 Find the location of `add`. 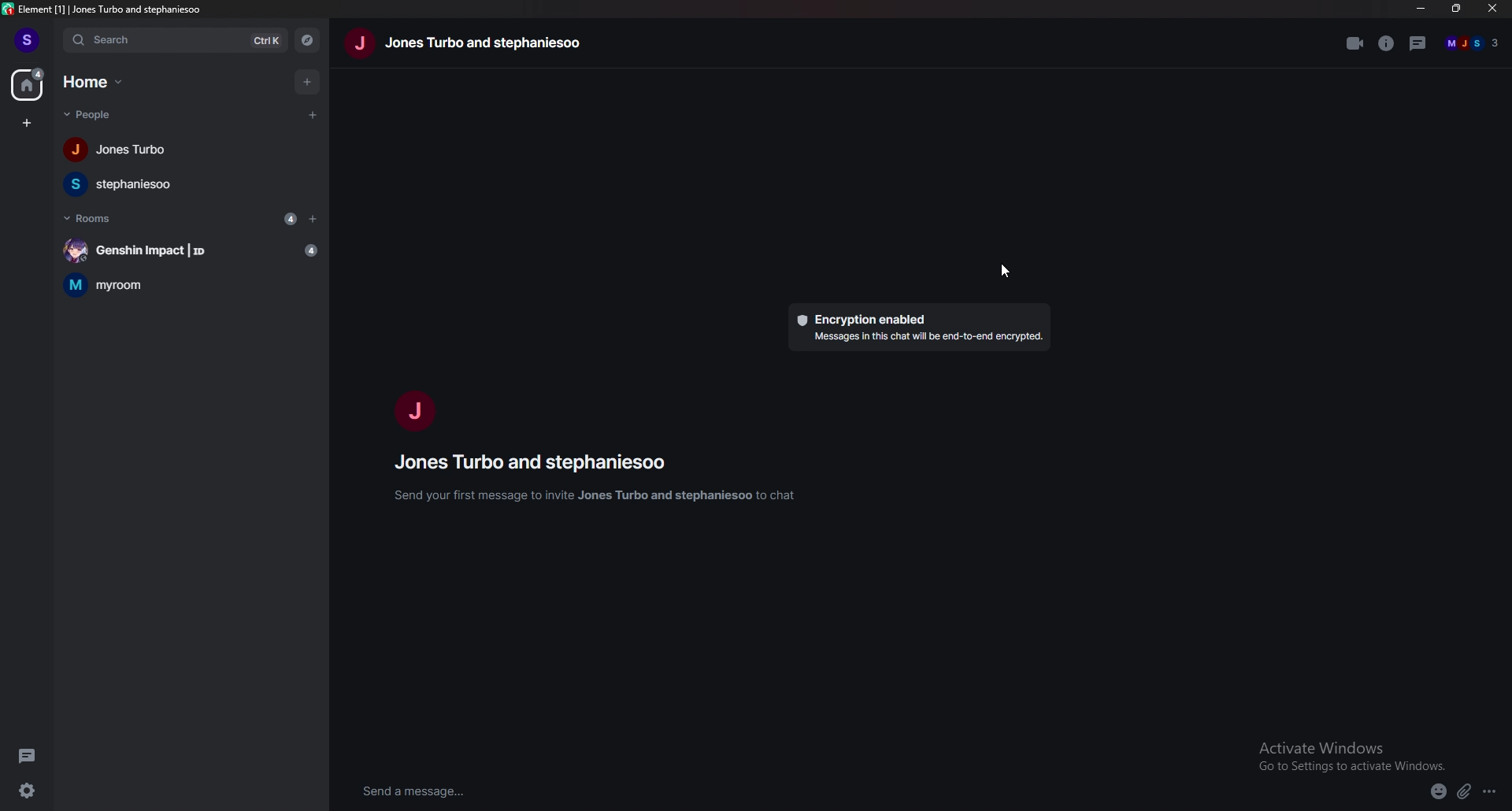

add is located at coordinates (307, 81).